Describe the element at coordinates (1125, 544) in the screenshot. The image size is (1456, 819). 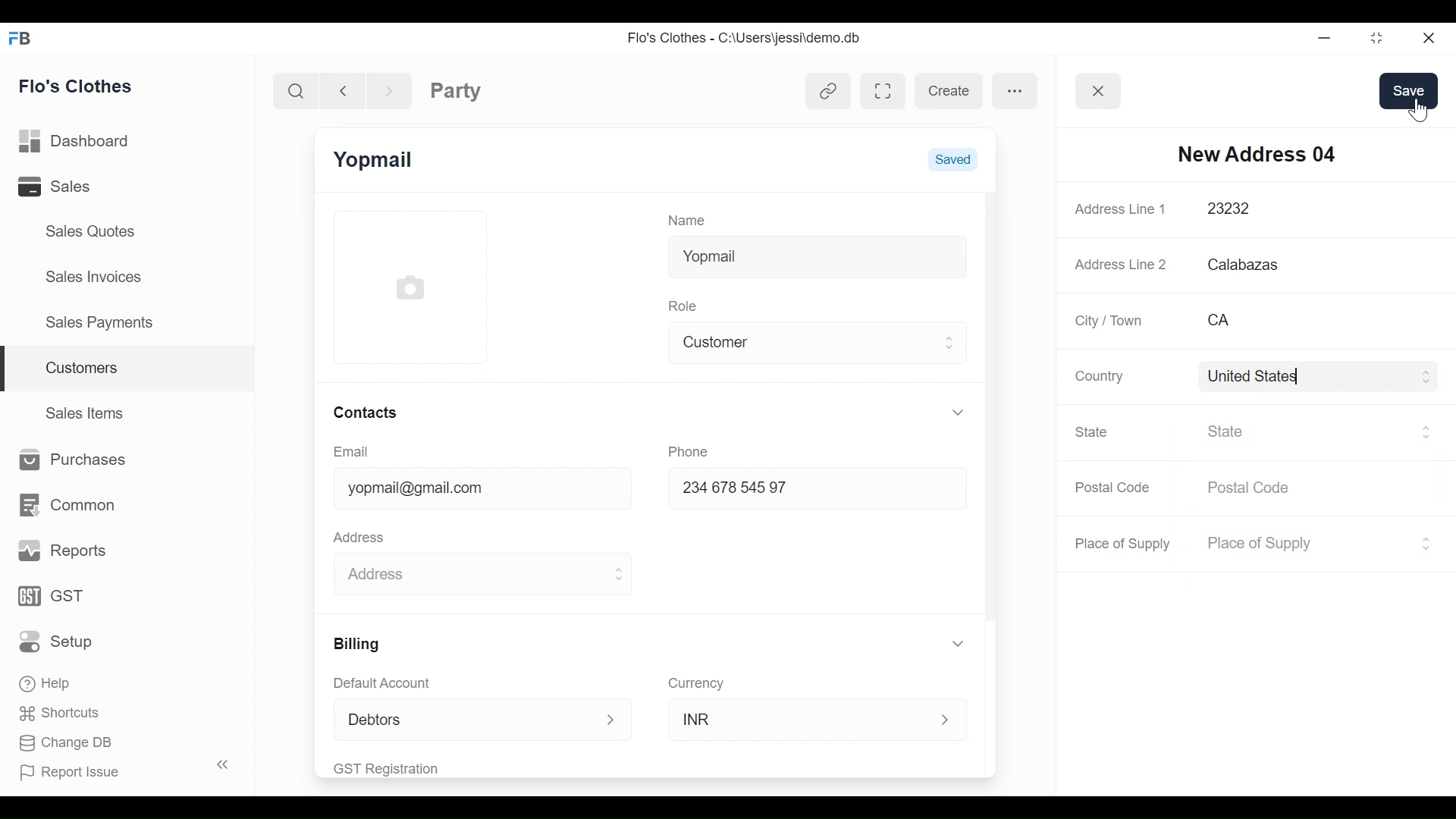
I see `Place of Supply` at that location.